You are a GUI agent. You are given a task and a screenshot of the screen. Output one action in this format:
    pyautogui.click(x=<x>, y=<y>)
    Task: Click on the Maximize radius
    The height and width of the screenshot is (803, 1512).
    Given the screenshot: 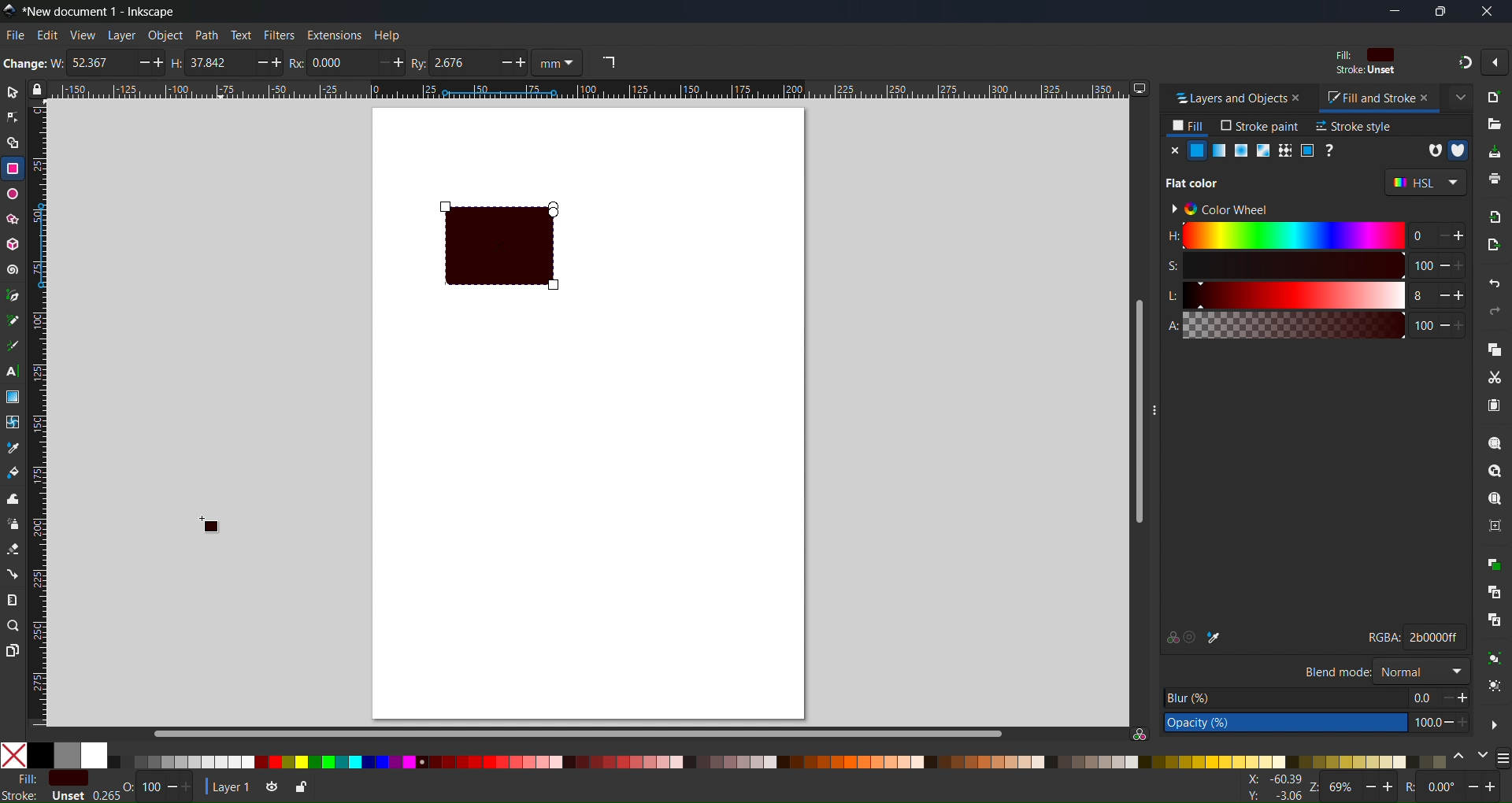 What is the action you would take?
    pyautogui.click(x=524, y=64)
    